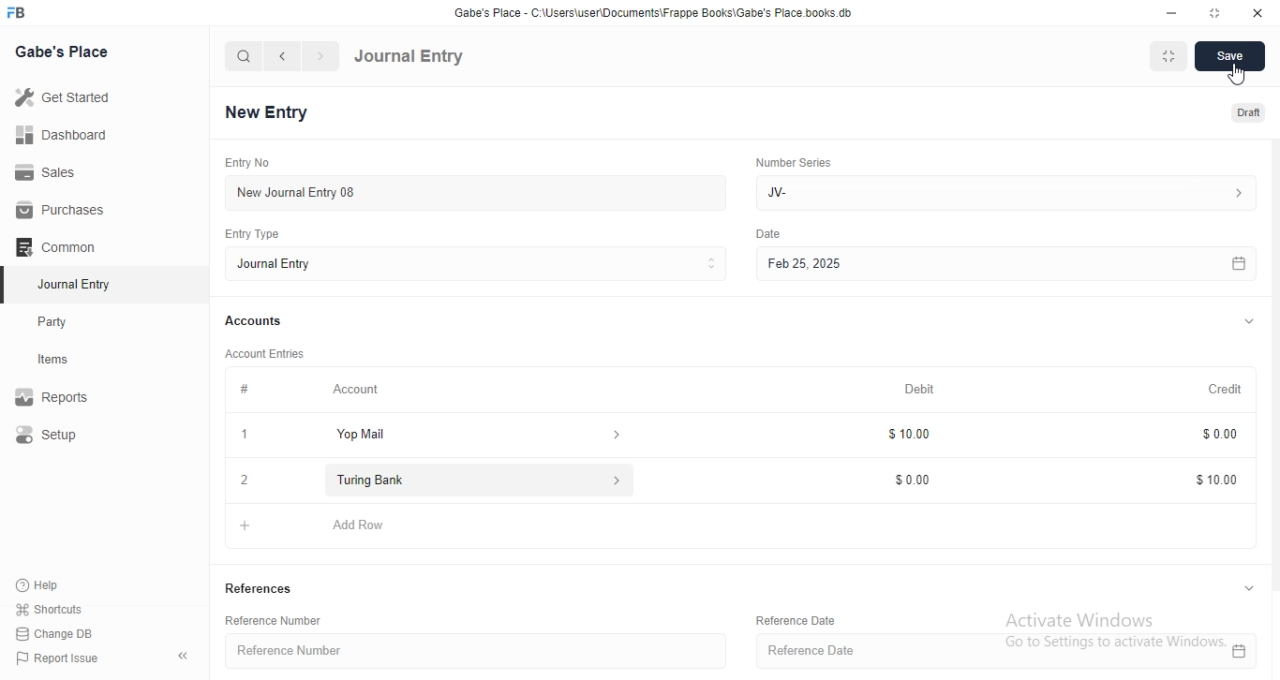  What do you see at coordinates (1256, 11) in the screenshot?
I see `close` at bounding box center [1256, 11].